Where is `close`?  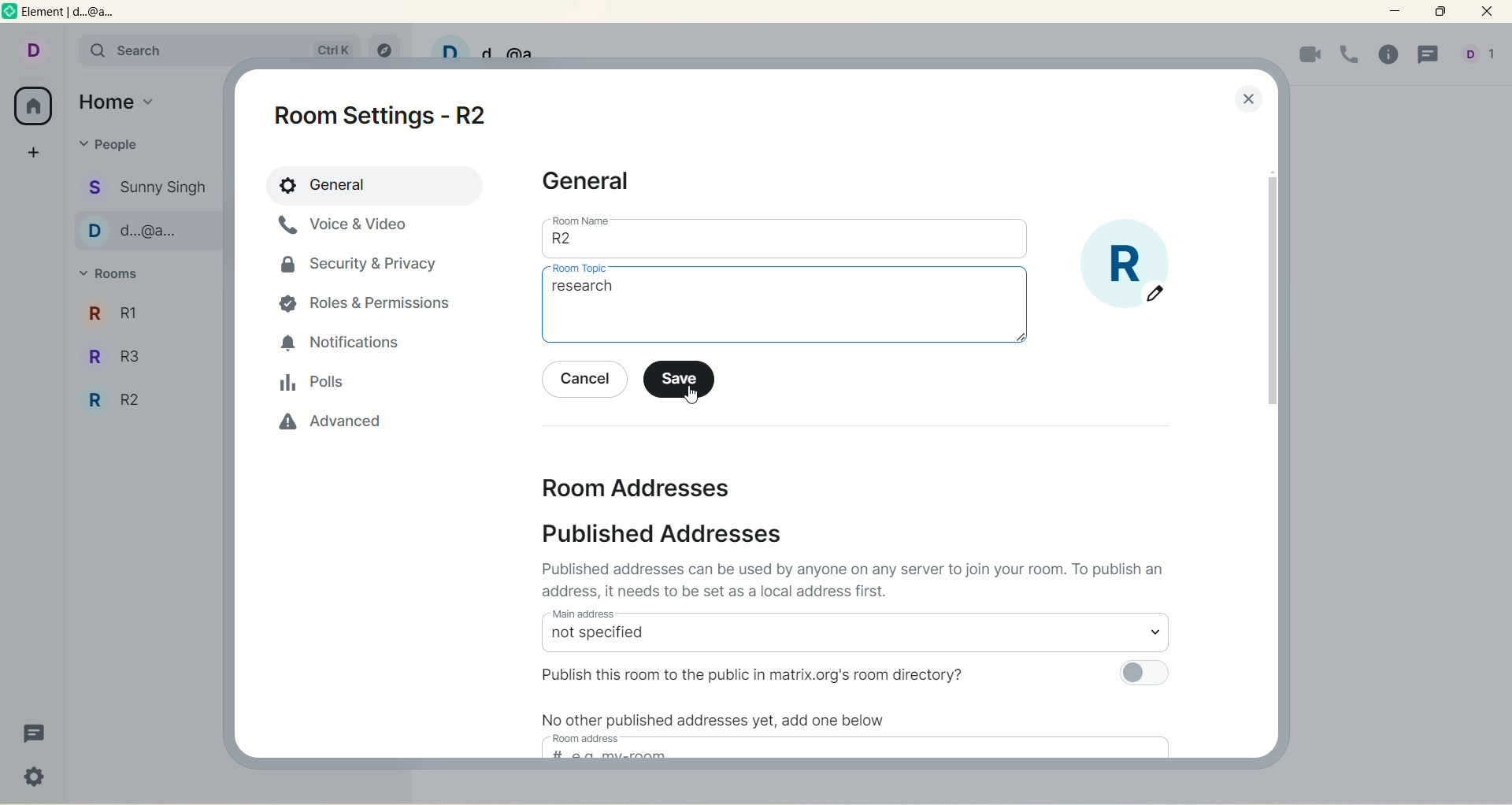 close is located at coordinates (1490, 13).